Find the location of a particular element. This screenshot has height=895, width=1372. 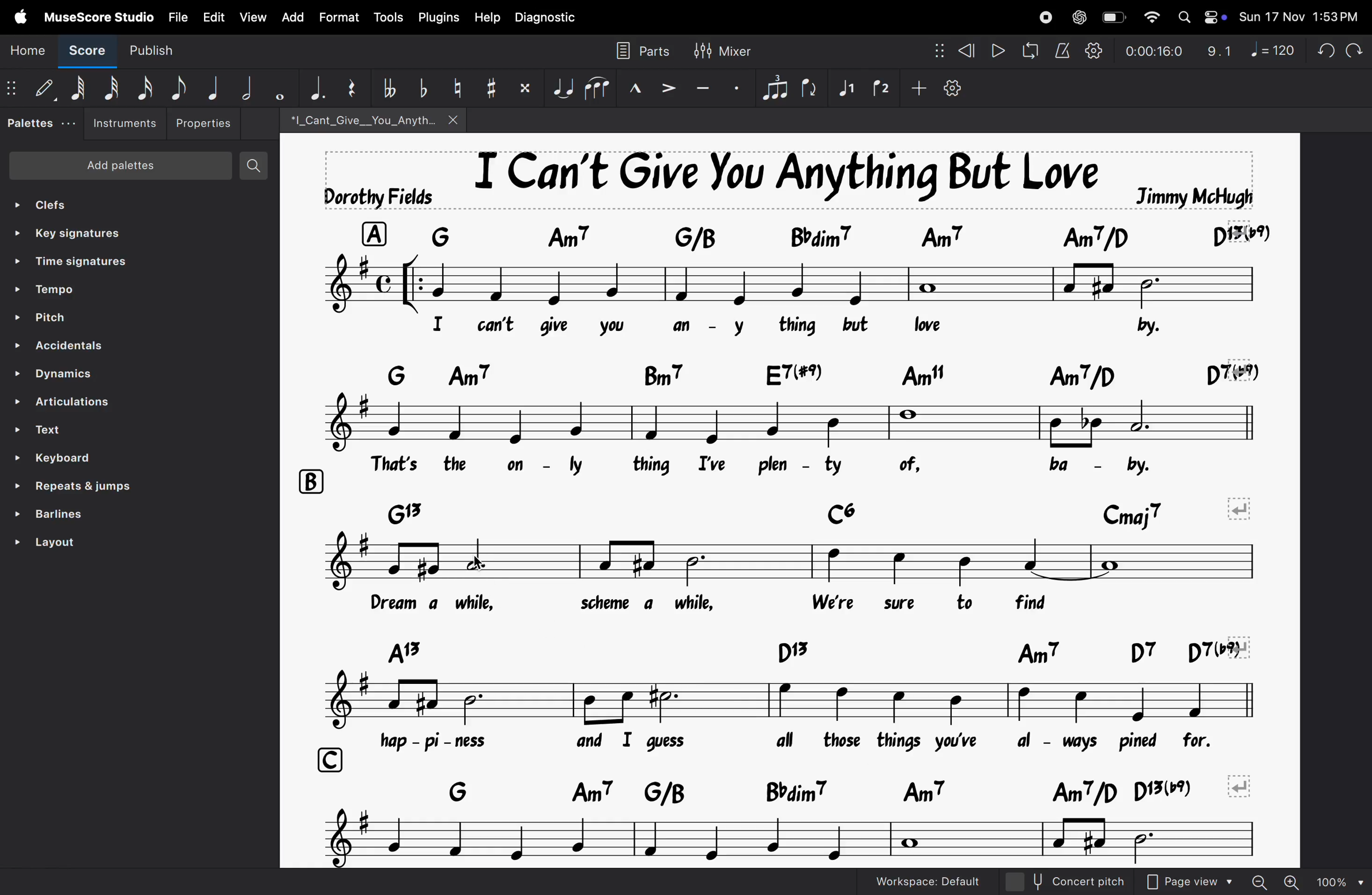

Score is located at coordinates (84, 54).